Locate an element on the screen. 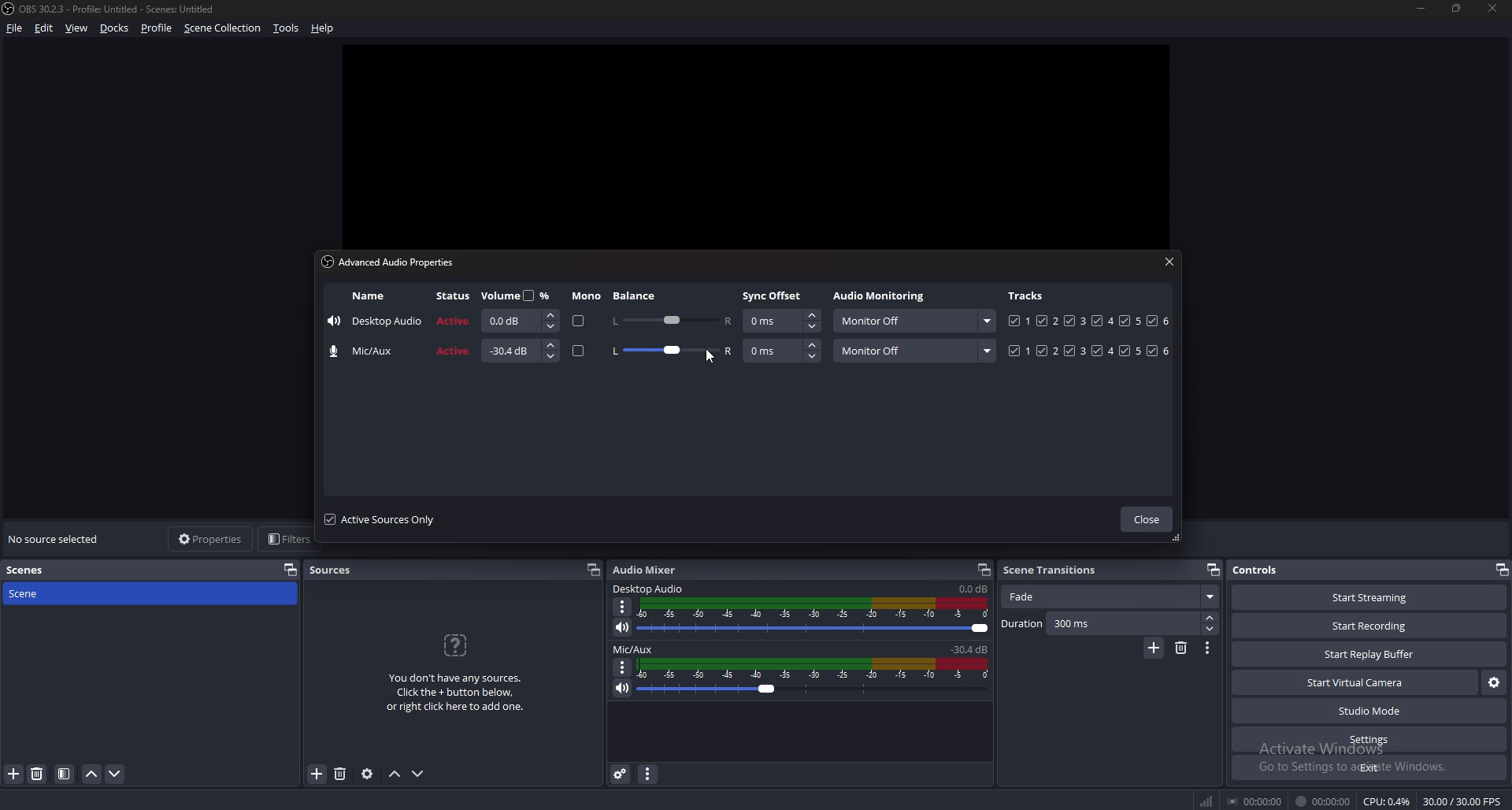 This screenshot has width=1512, height=810. name is located at coordinates (368, 351).